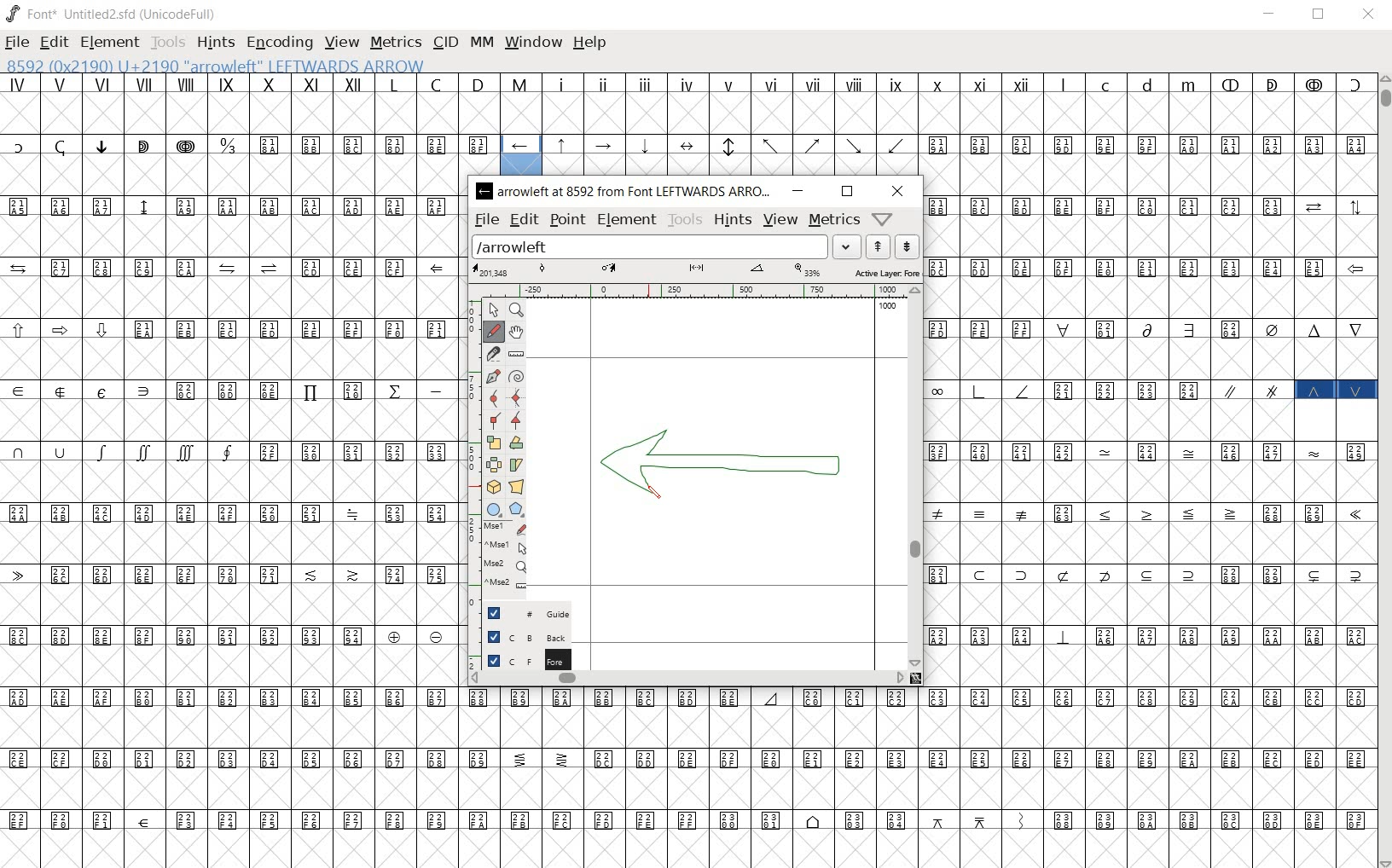  Describe the element at coordinates (520, 154) in the screenshot. I see `glyph slot` at that location.